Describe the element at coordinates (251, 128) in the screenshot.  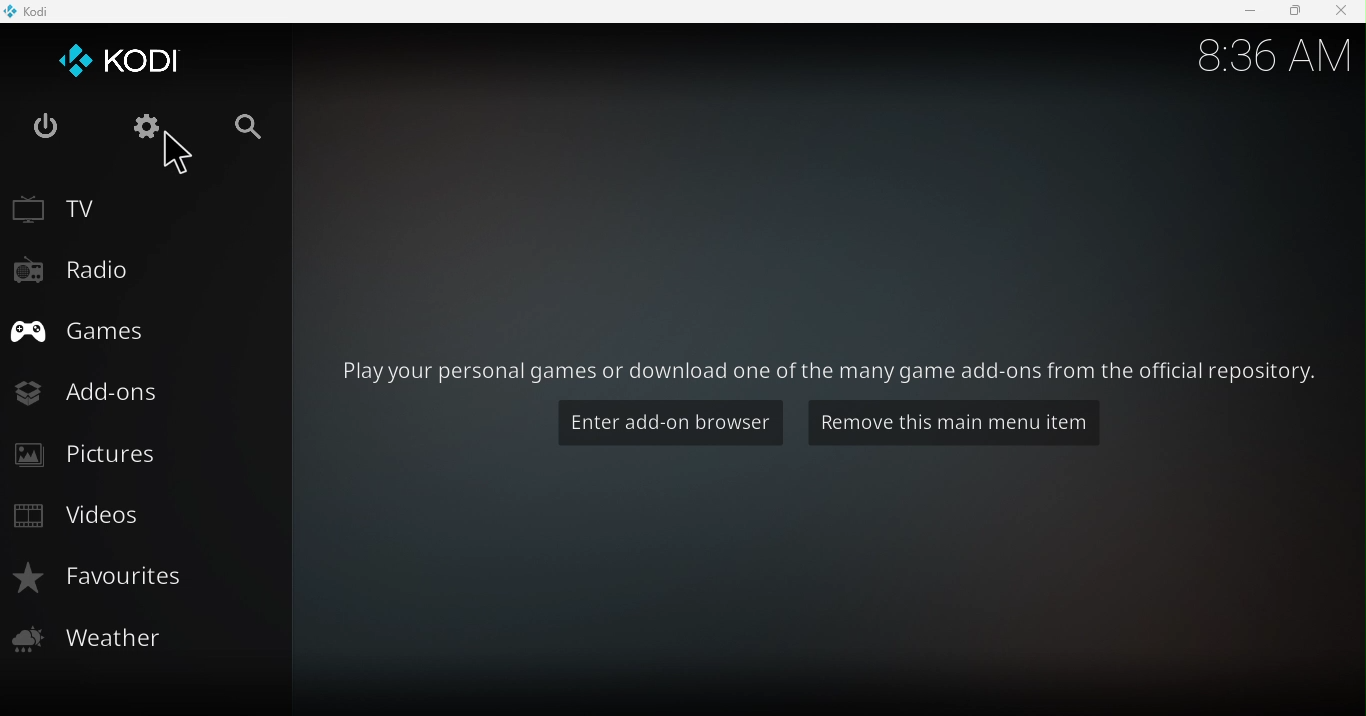
I see `Search` at that location.